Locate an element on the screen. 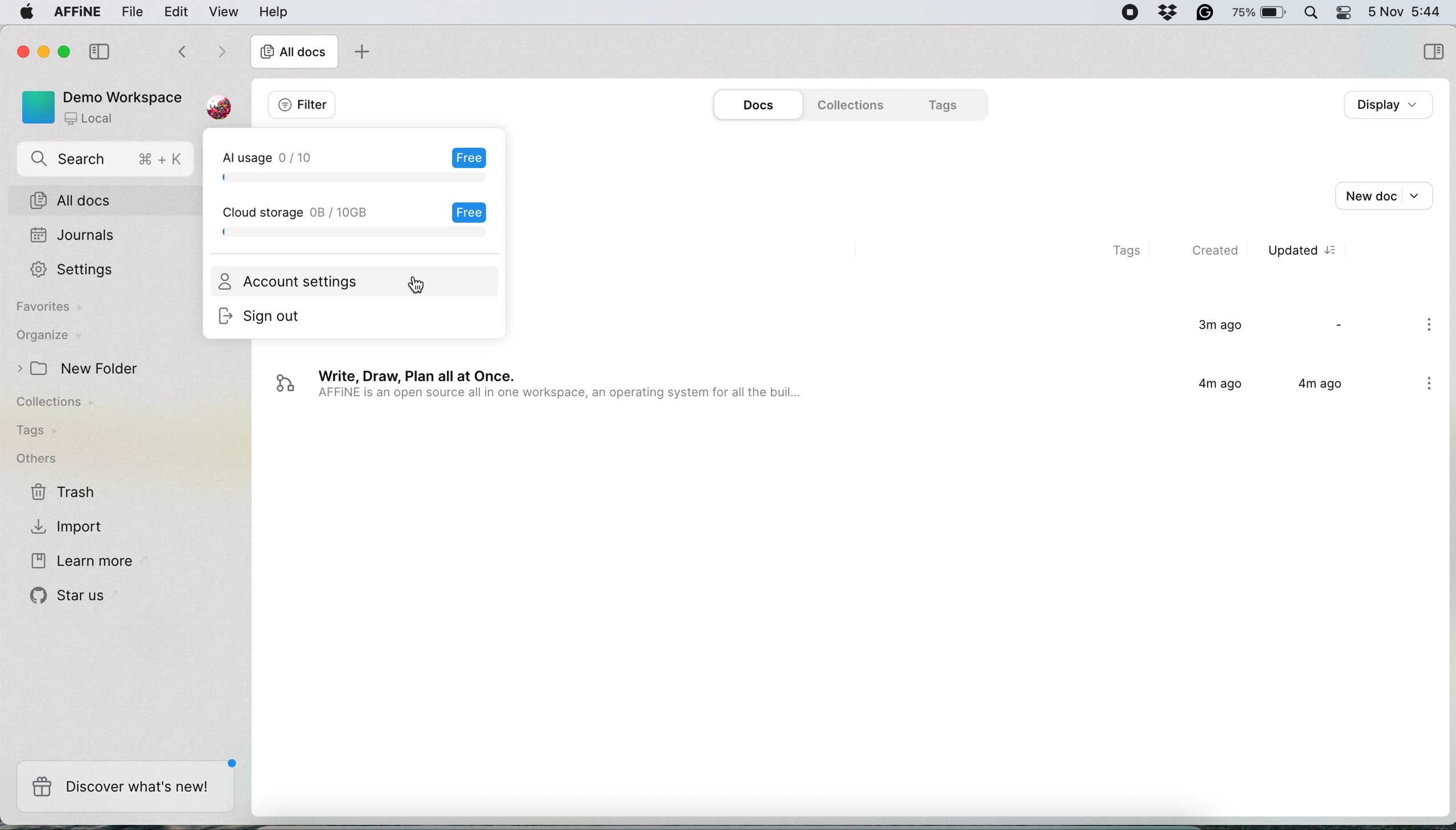 The height and width of the screenshot is (830, 1456). created is located at coordinates (1218, 251).